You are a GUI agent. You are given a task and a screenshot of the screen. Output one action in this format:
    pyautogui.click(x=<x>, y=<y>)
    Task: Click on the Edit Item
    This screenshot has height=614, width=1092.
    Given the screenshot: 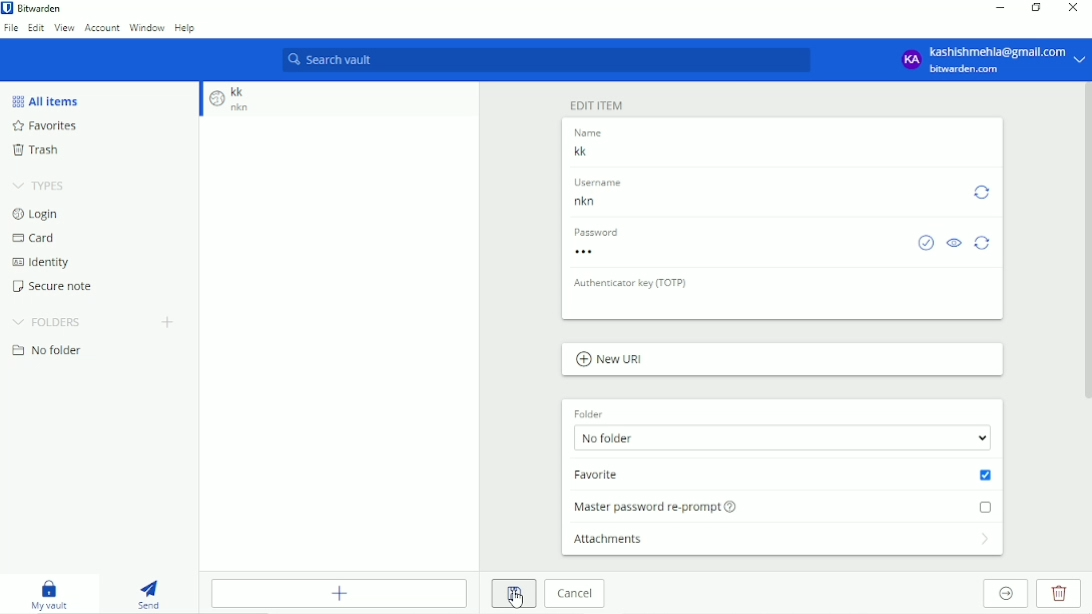 What is the action you would take?
    pyautogui.click(x=597, y=105)
    